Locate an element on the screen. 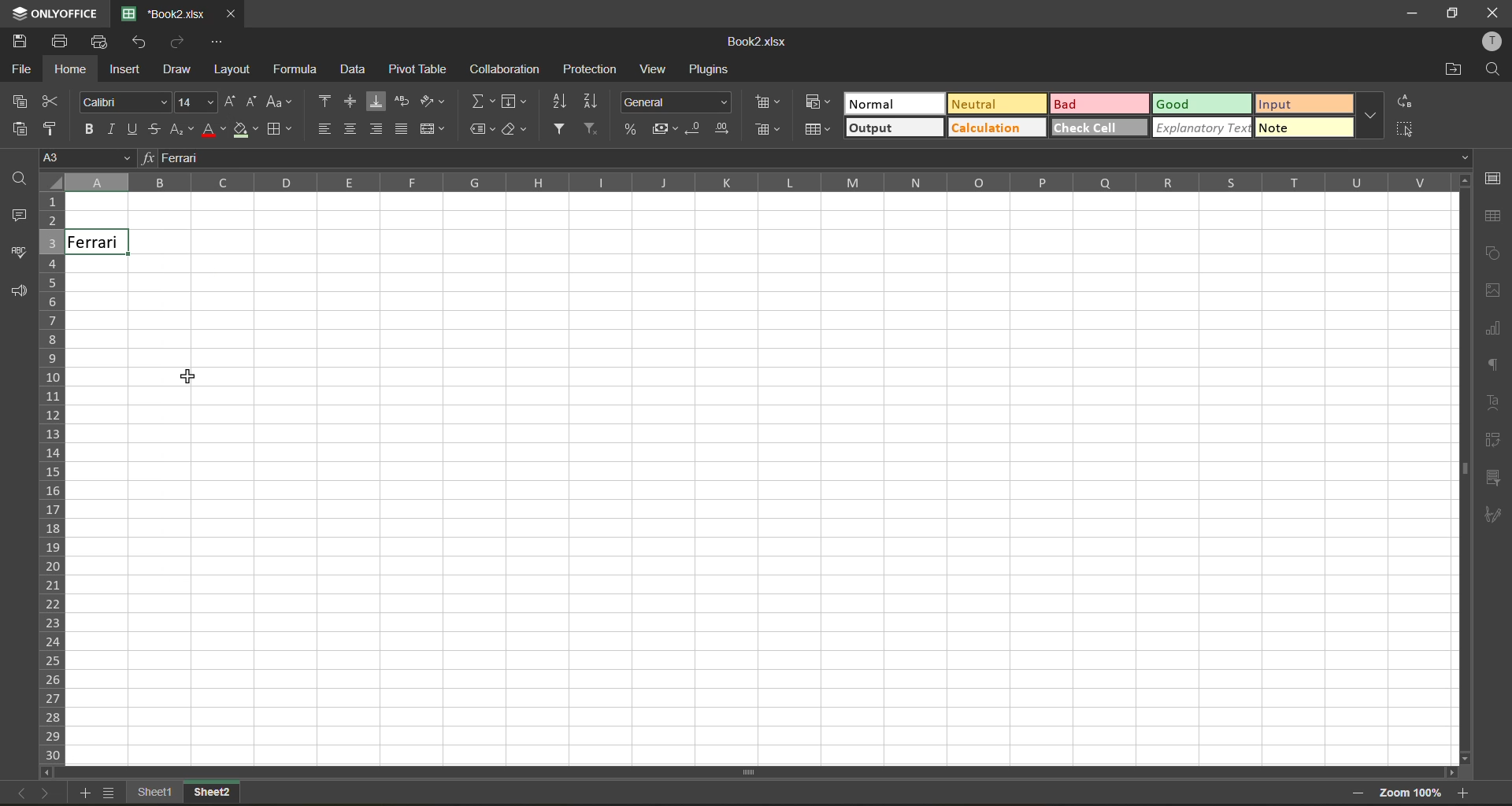 The image size is (1512, 806). text is located at coordinates (1493, 402).